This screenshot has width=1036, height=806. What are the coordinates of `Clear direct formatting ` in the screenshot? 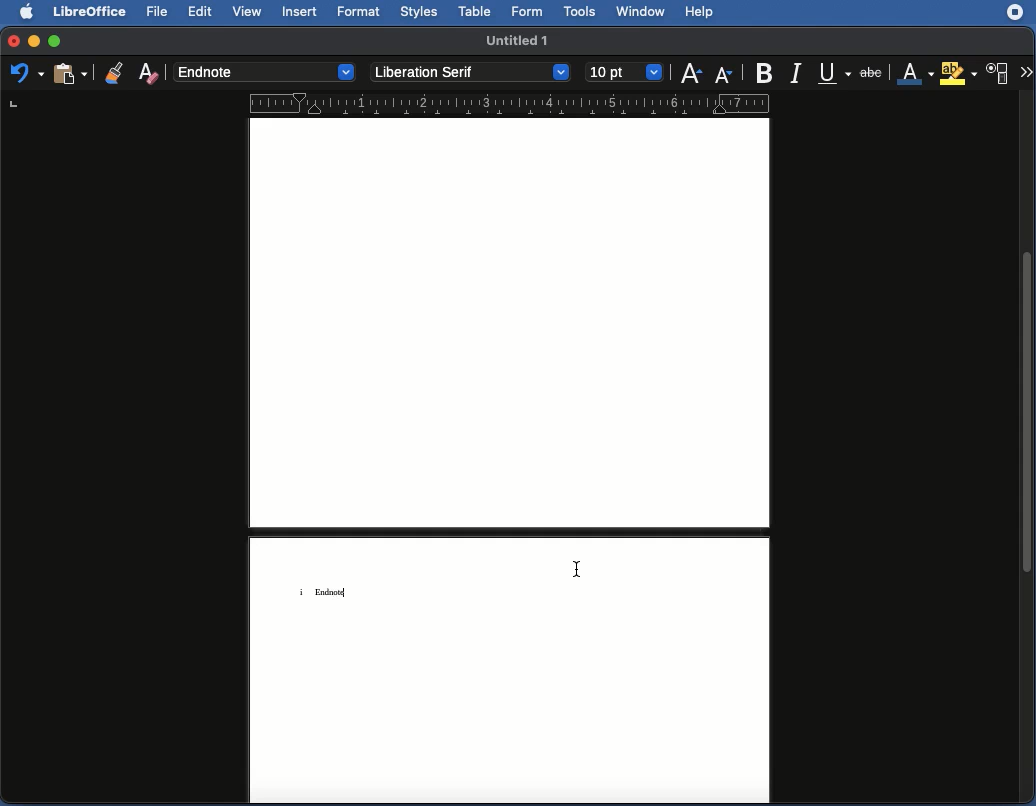 It's located at (150, 75).